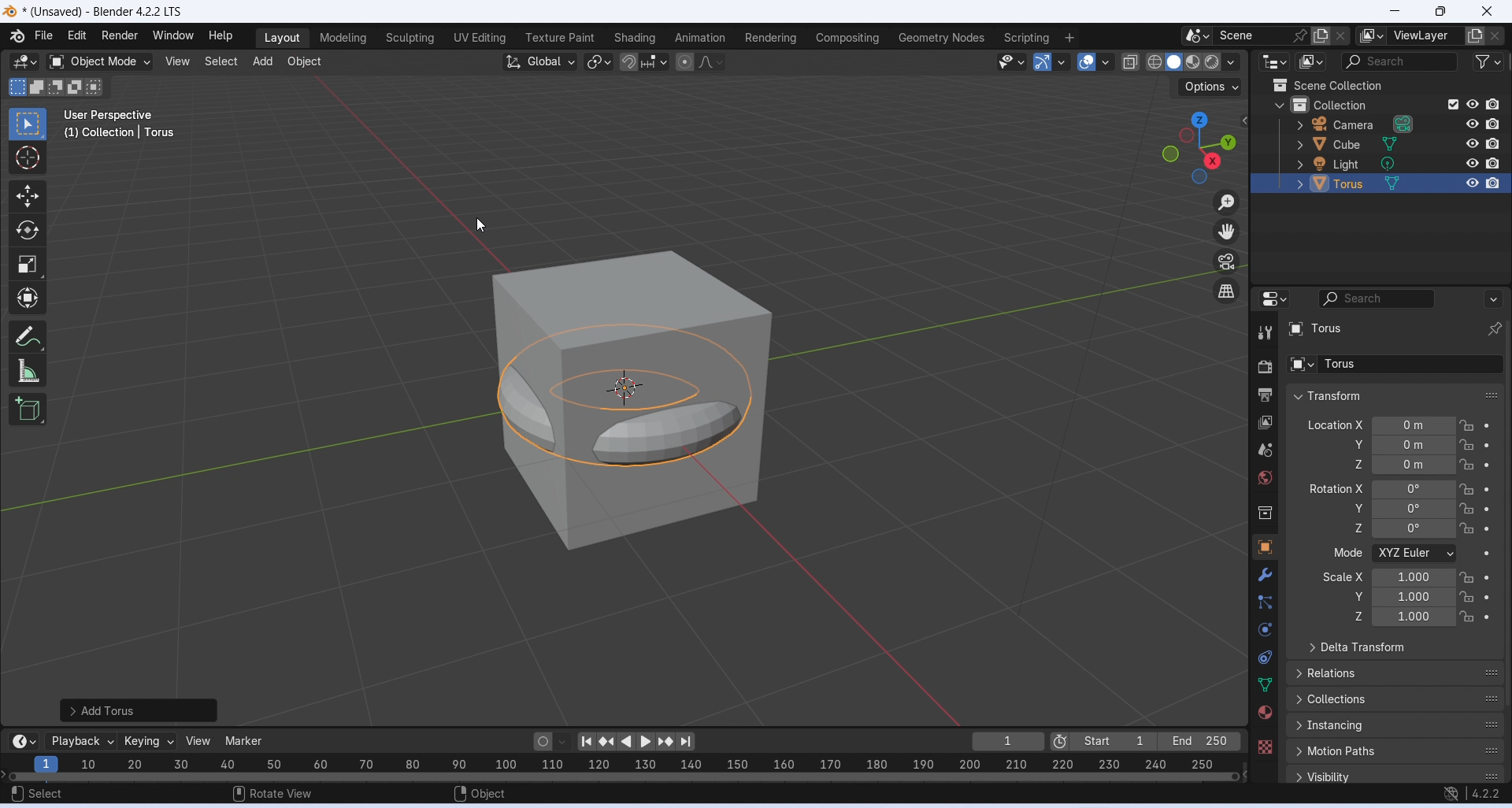 This screenshot has width=1512, height=808. Describe the element at coordinates (1498, 35) in the screenshot. I see `close layer` at that location.